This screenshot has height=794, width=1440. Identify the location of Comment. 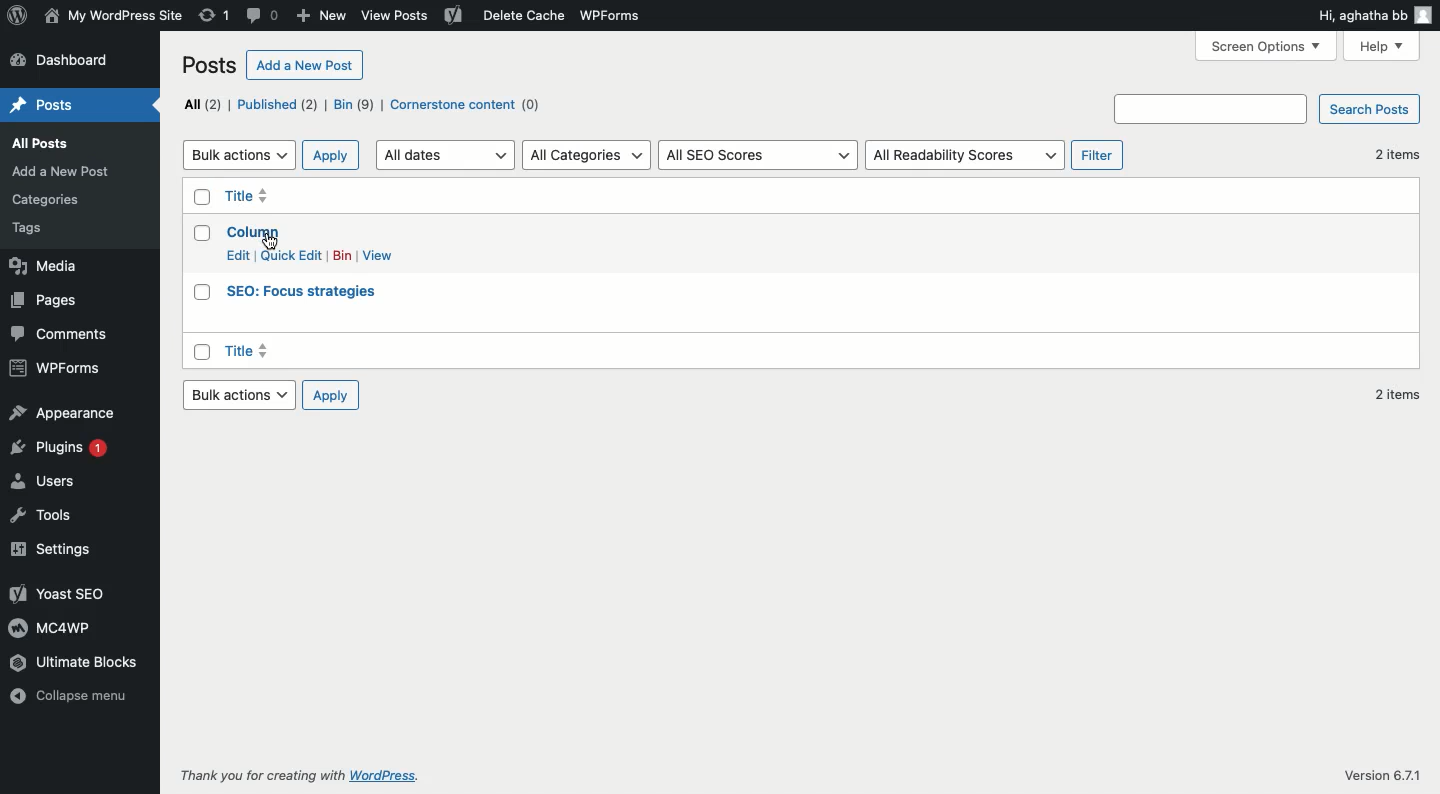
(265, 15).